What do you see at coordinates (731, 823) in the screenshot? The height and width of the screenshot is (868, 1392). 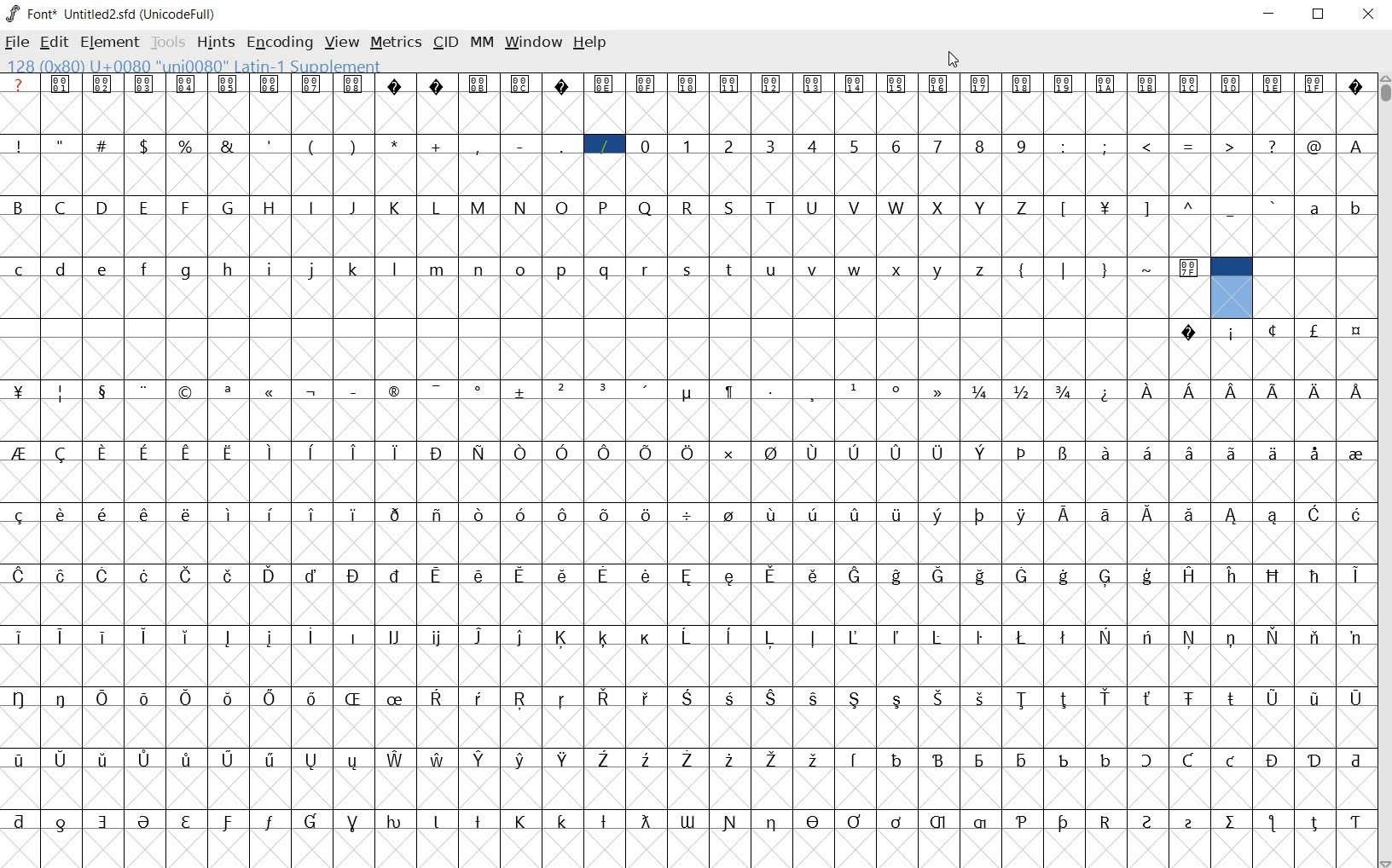 I see `Symbol` at bounding box center [731, 823].